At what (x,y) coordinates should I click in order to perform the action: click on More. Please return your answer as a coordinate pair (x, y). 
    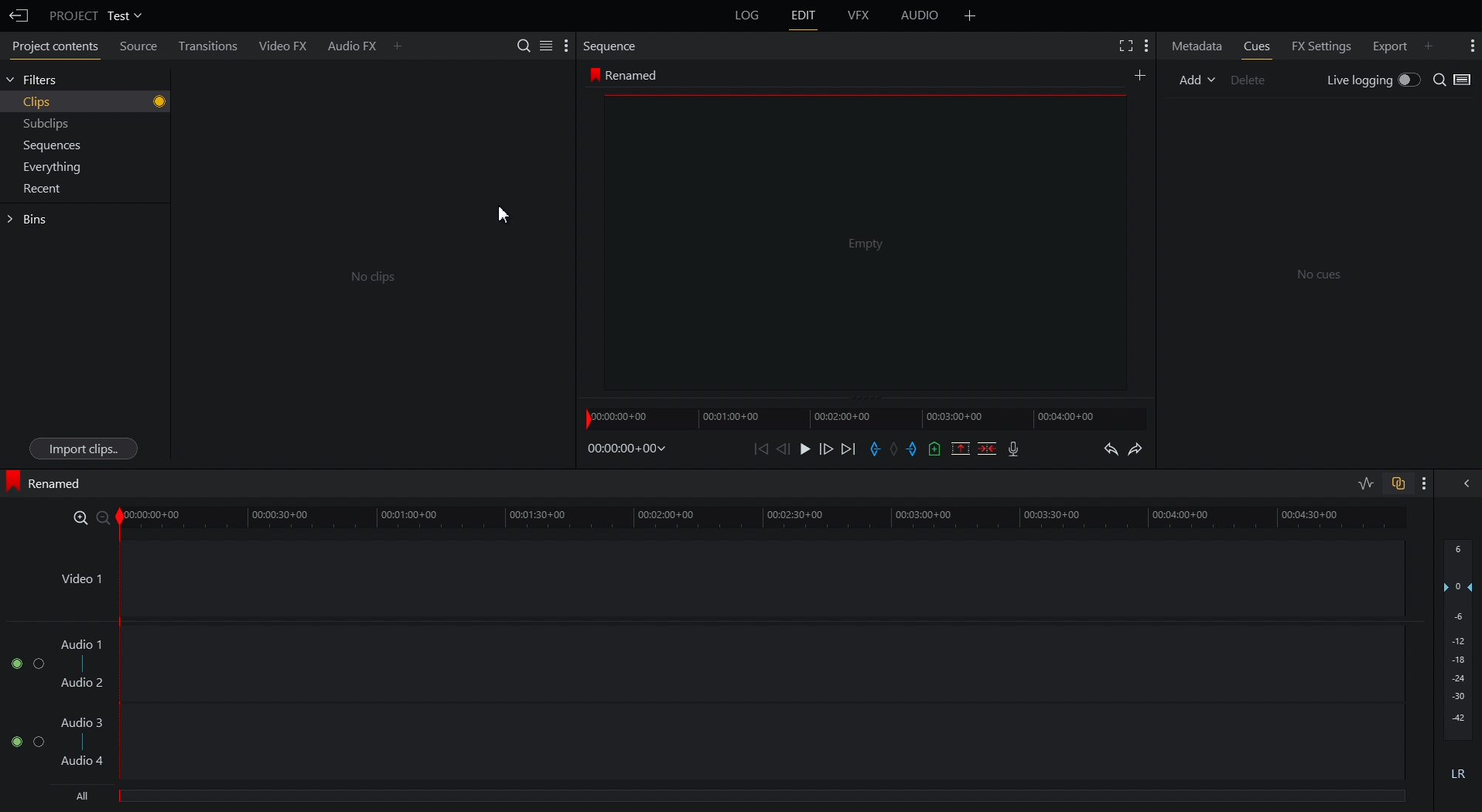
    Looking at the image, I should click on (1430, 483).